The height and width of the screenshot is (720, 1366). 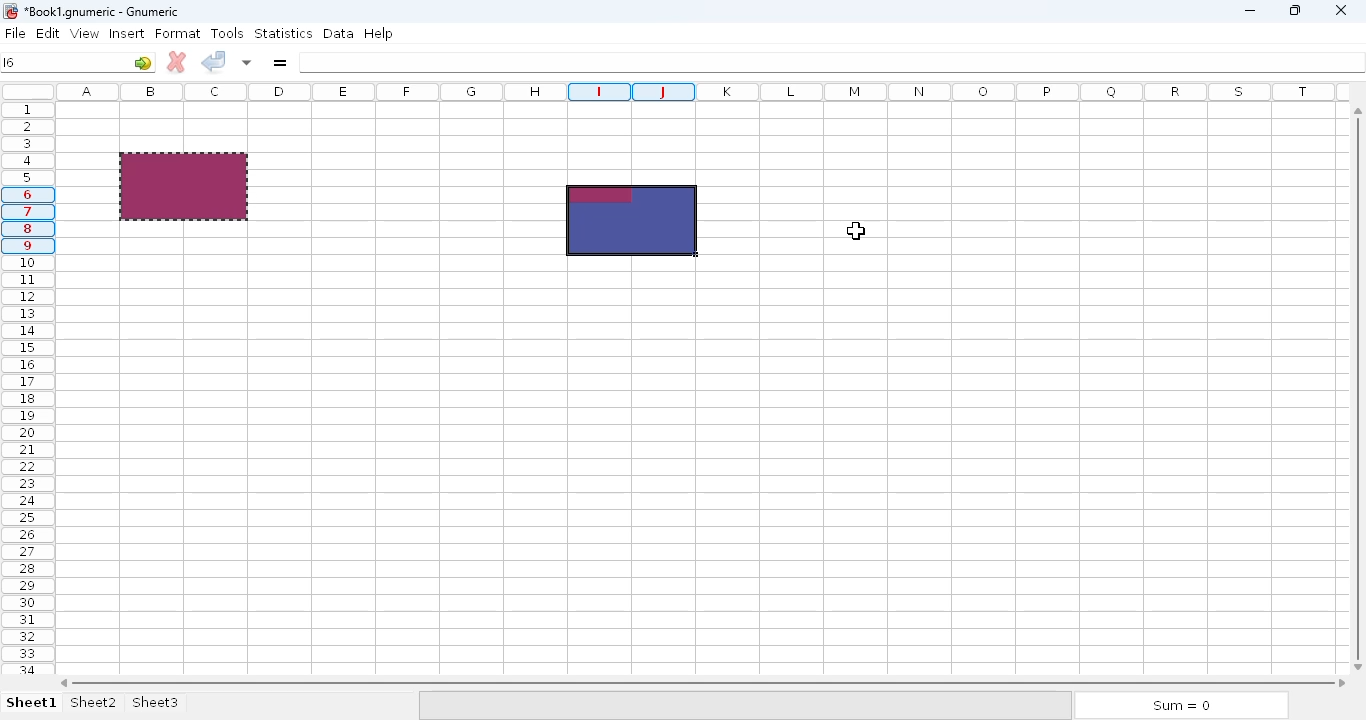 I want to click on minimize, so click(x=1250, y=11).